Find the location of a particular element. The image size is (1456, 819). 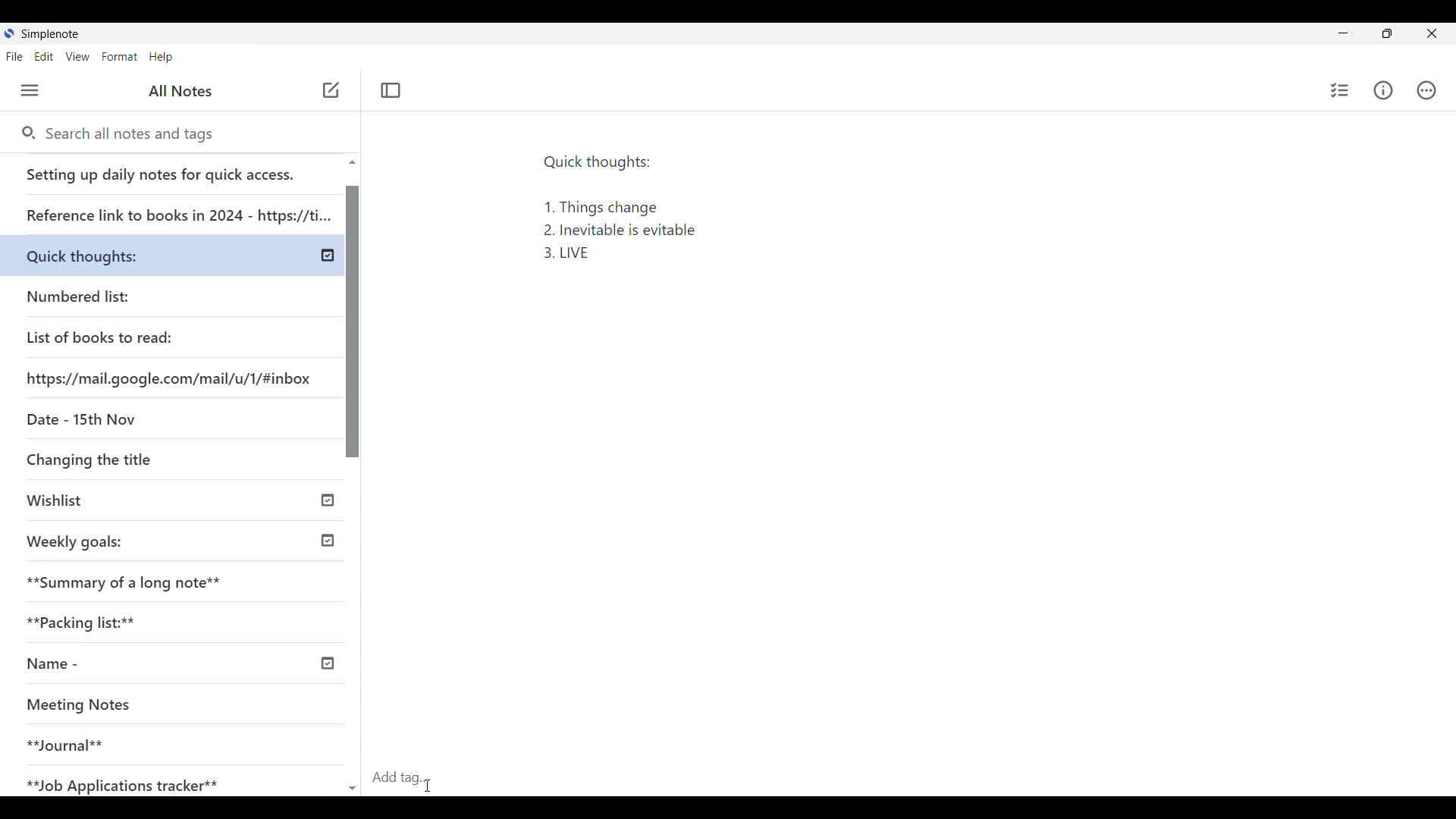

Changing the title is located at coordinates (121, 459).